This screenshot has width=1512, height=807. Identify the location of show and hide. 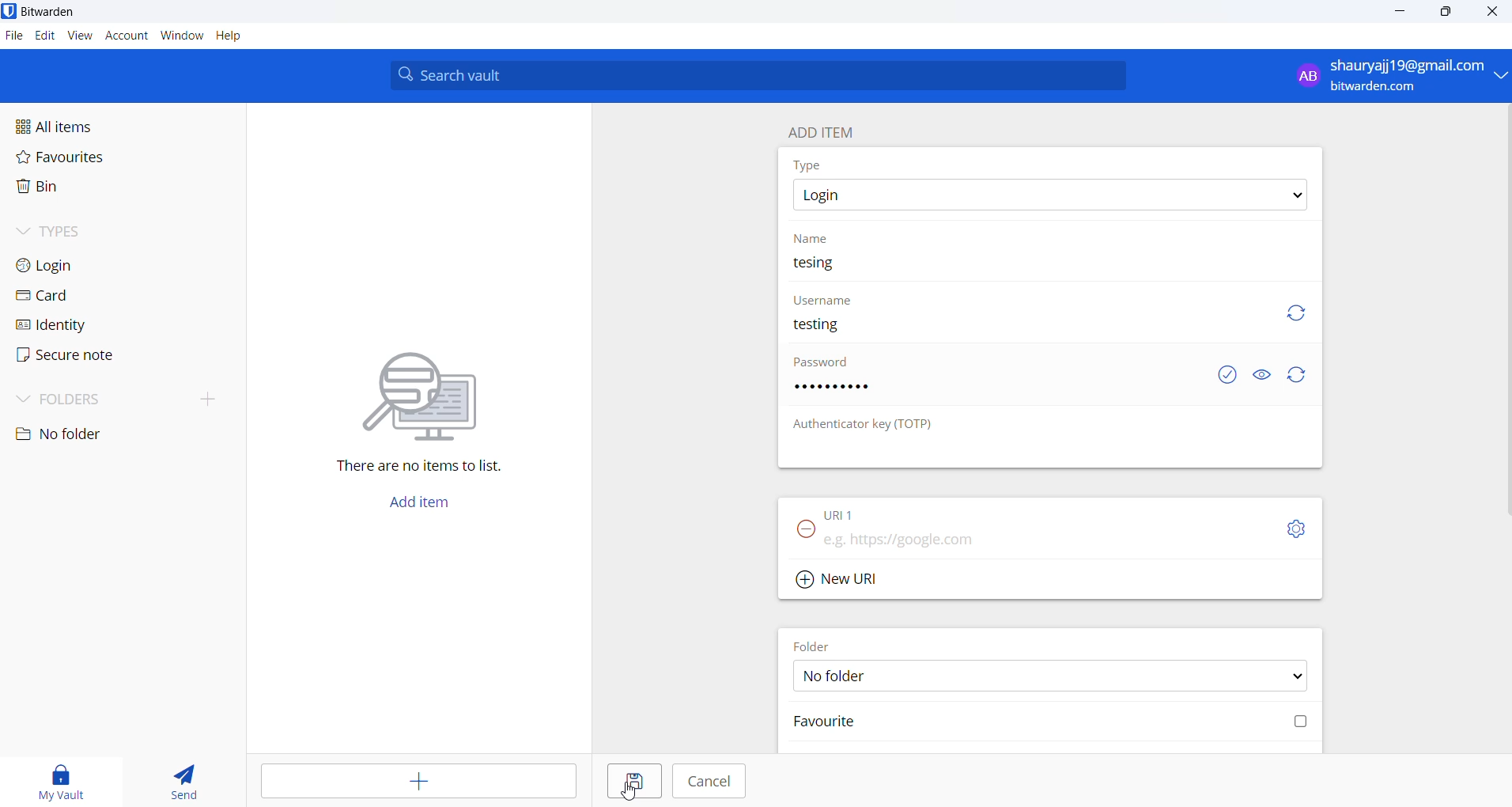
(1262, 374).